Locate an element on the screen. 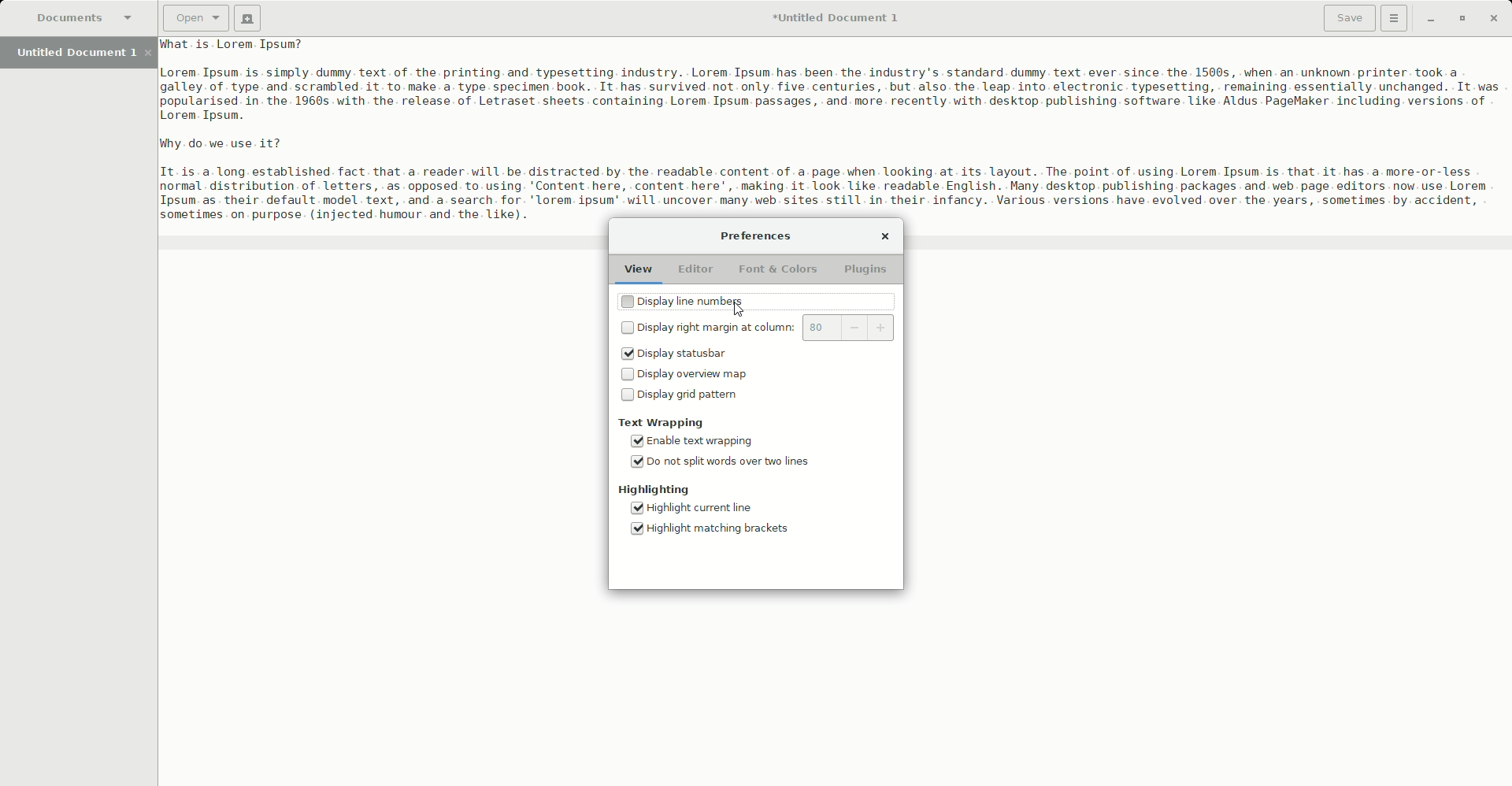 The width and height of the screenshot is (1512, 786). Display right margin is located at coordinates (706, 328).